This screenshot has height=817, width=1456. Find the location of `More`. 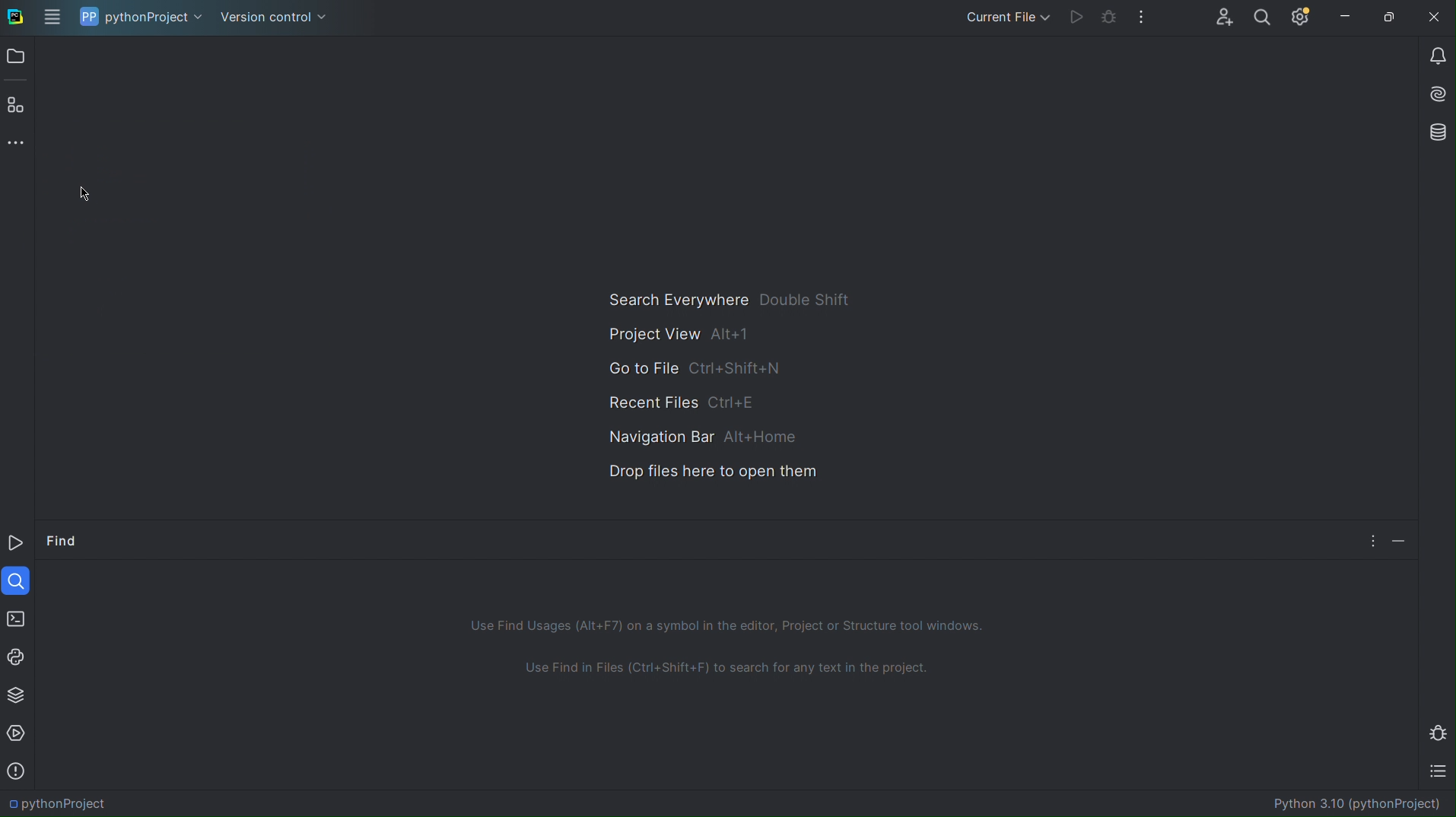

More is located at coordinates (1371, 540).